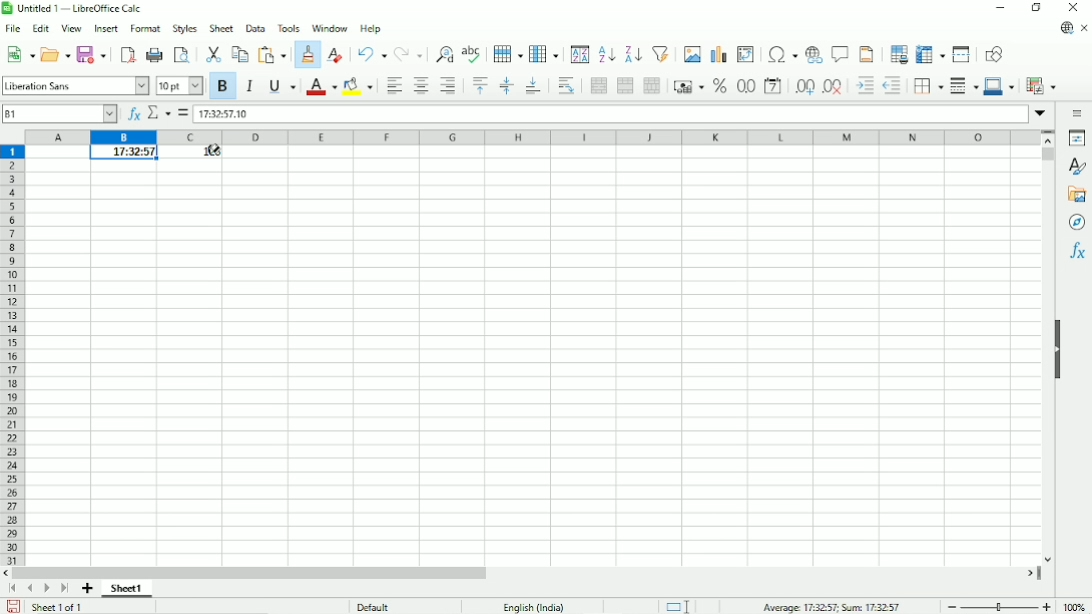 This screenshot has width=1092, height=614. Describe the element at coordinates (155, 54) in the screenshot. I see `Print` at that location.